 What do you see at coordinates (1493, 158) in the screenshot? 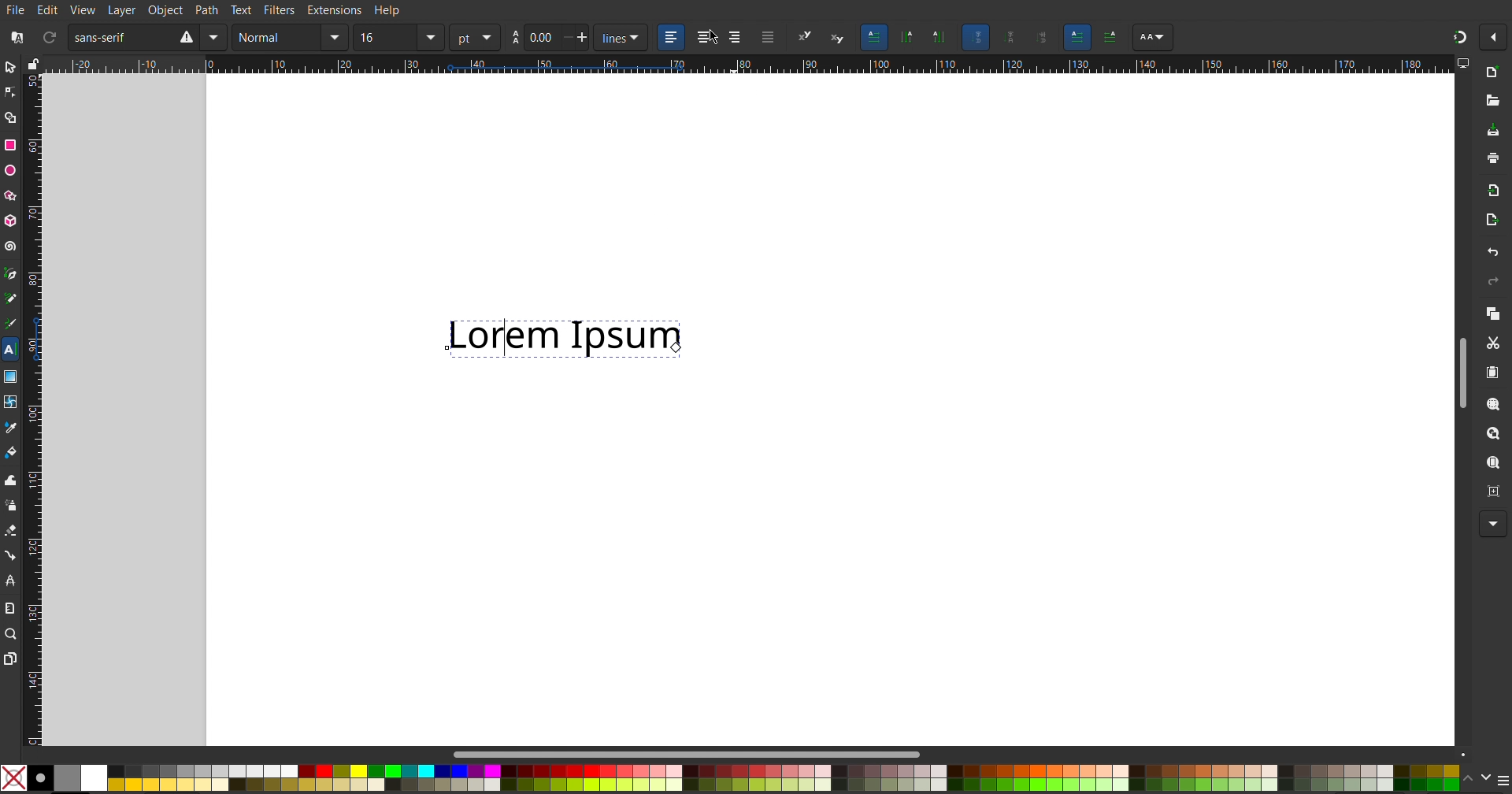
I see `Print` at bounding box center [1493, 158].